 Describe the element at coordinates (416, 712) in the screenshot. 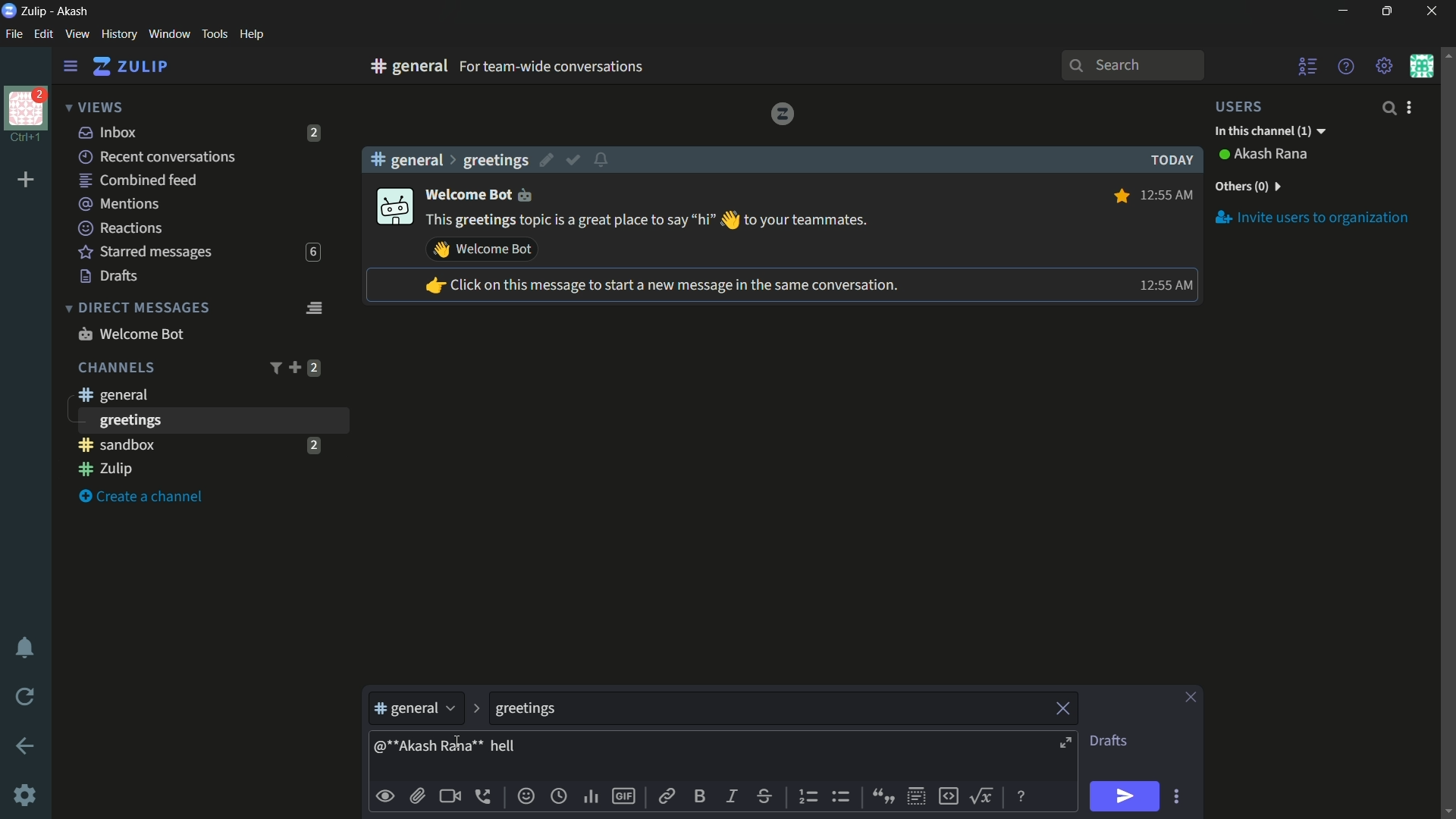

I see `general channel` at that location.